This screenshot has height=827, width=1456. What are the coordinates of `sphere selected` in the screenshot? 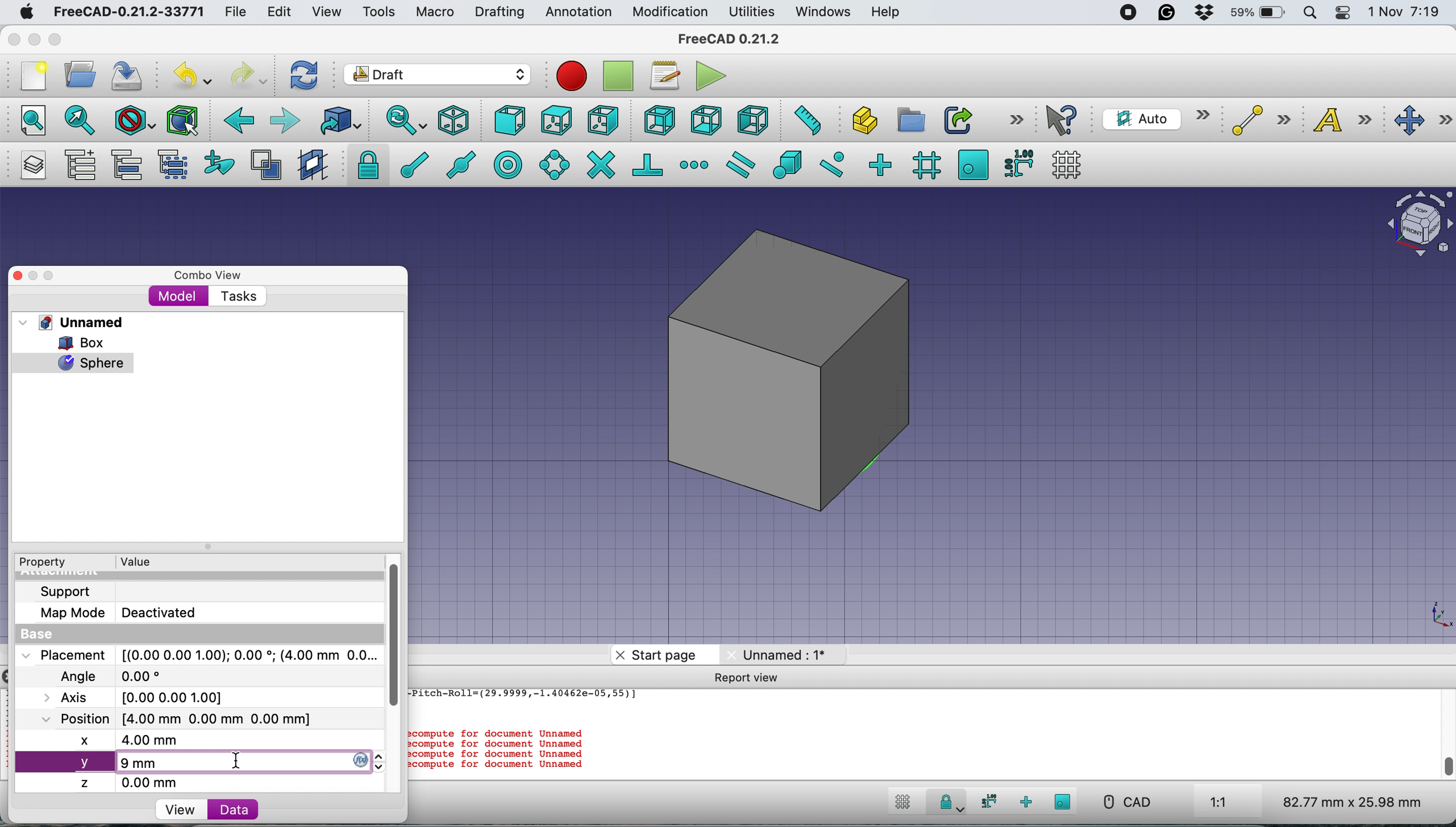 It's located at (73, 360).